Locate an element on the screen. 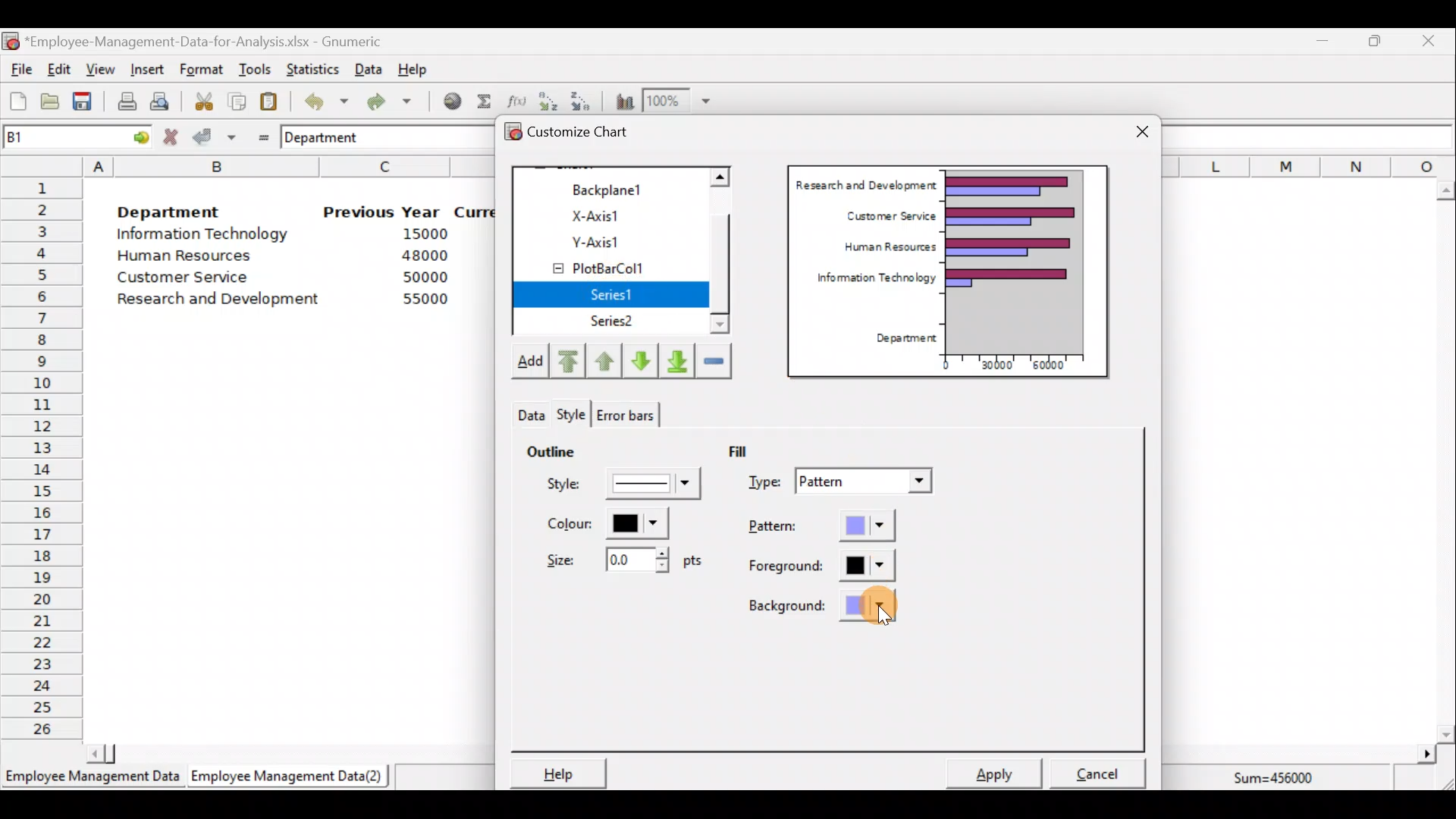 The height and width of the screenshot is (819, 1456). Information Technology is located at coordinates (869, 281).